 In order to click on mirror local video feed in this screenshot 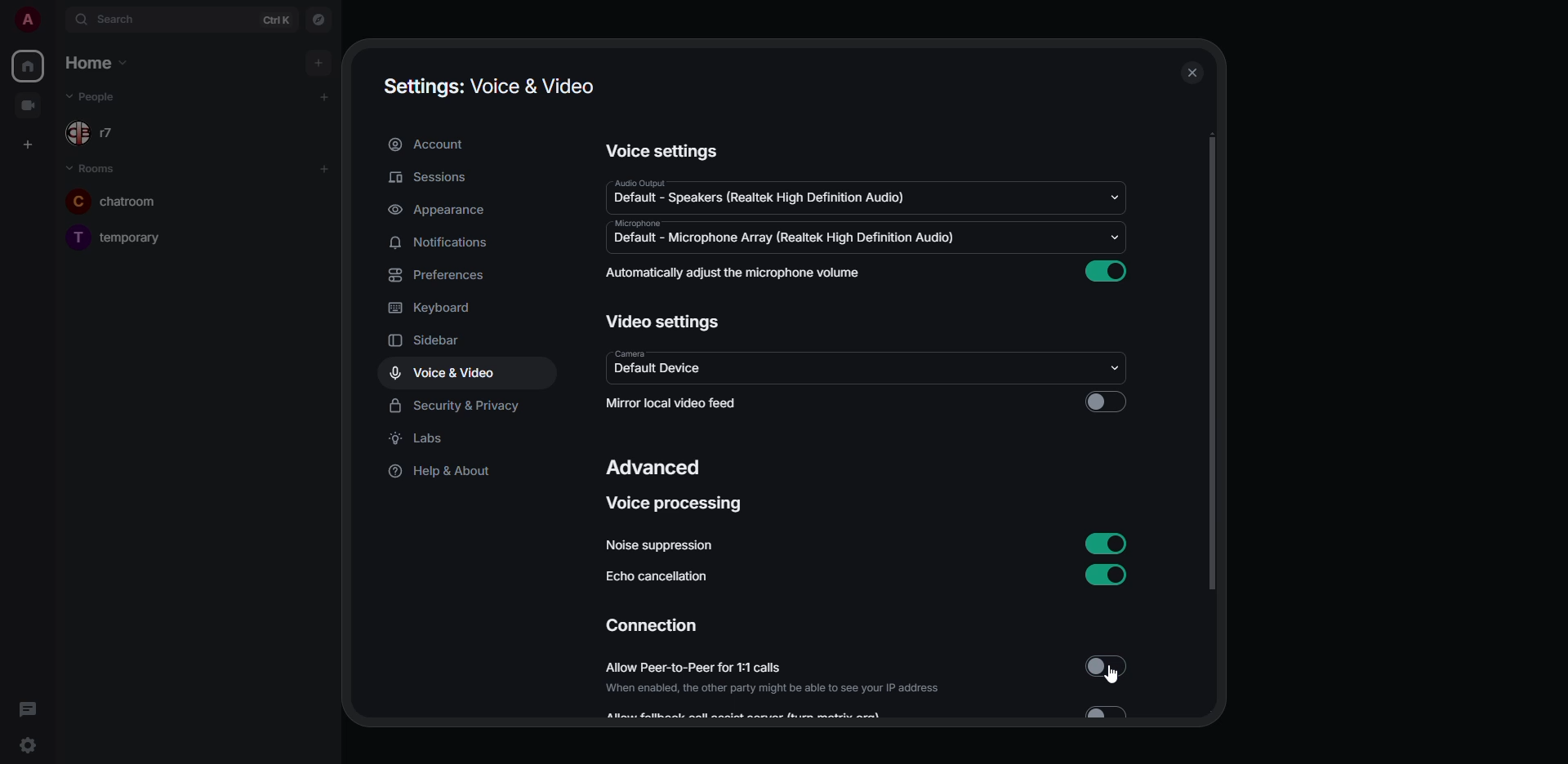, I will do `click(672, 404)`.